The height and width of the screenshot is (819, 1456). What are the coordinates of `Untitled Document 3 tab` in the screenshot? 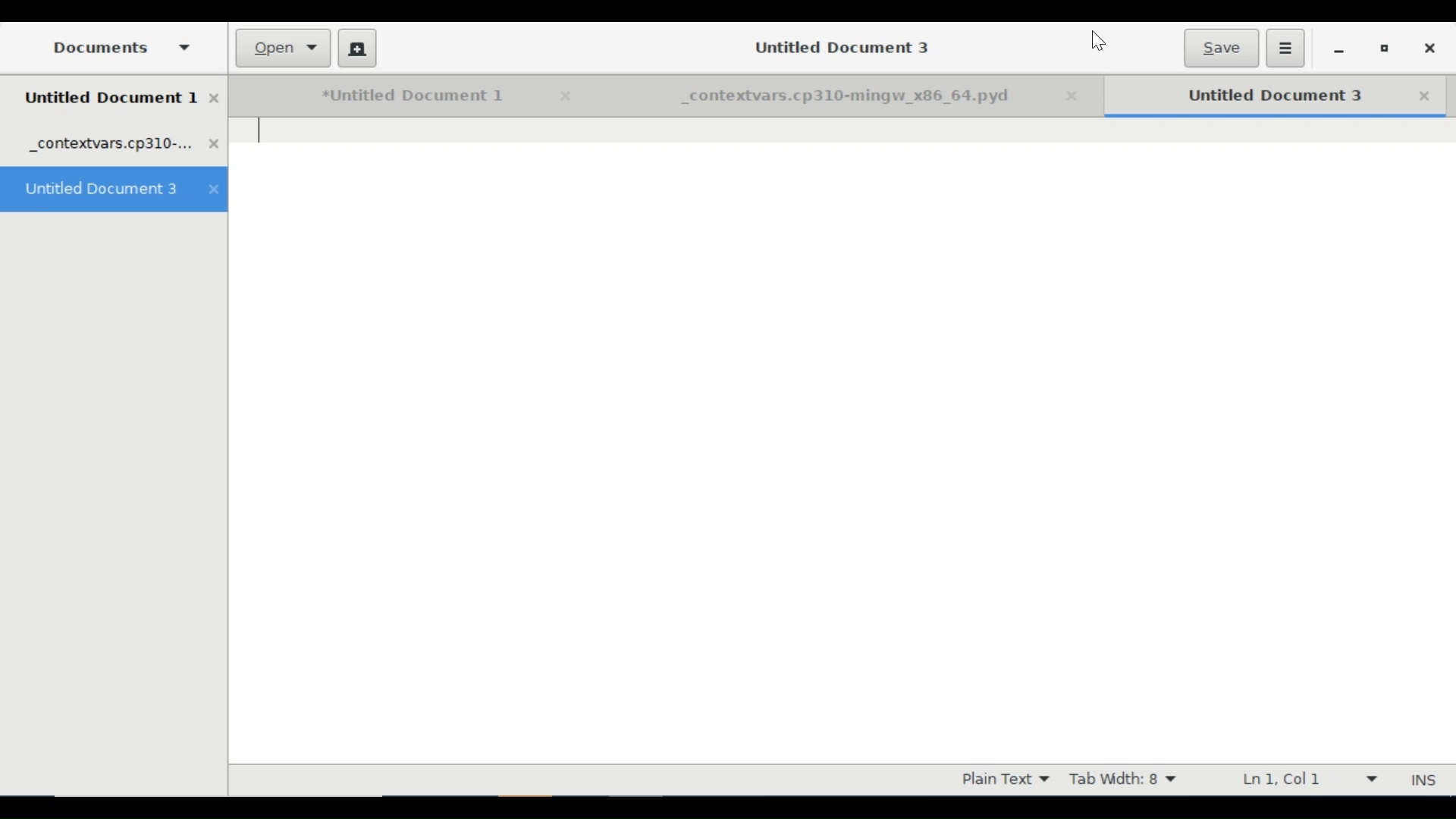 It's located at (115, 190).